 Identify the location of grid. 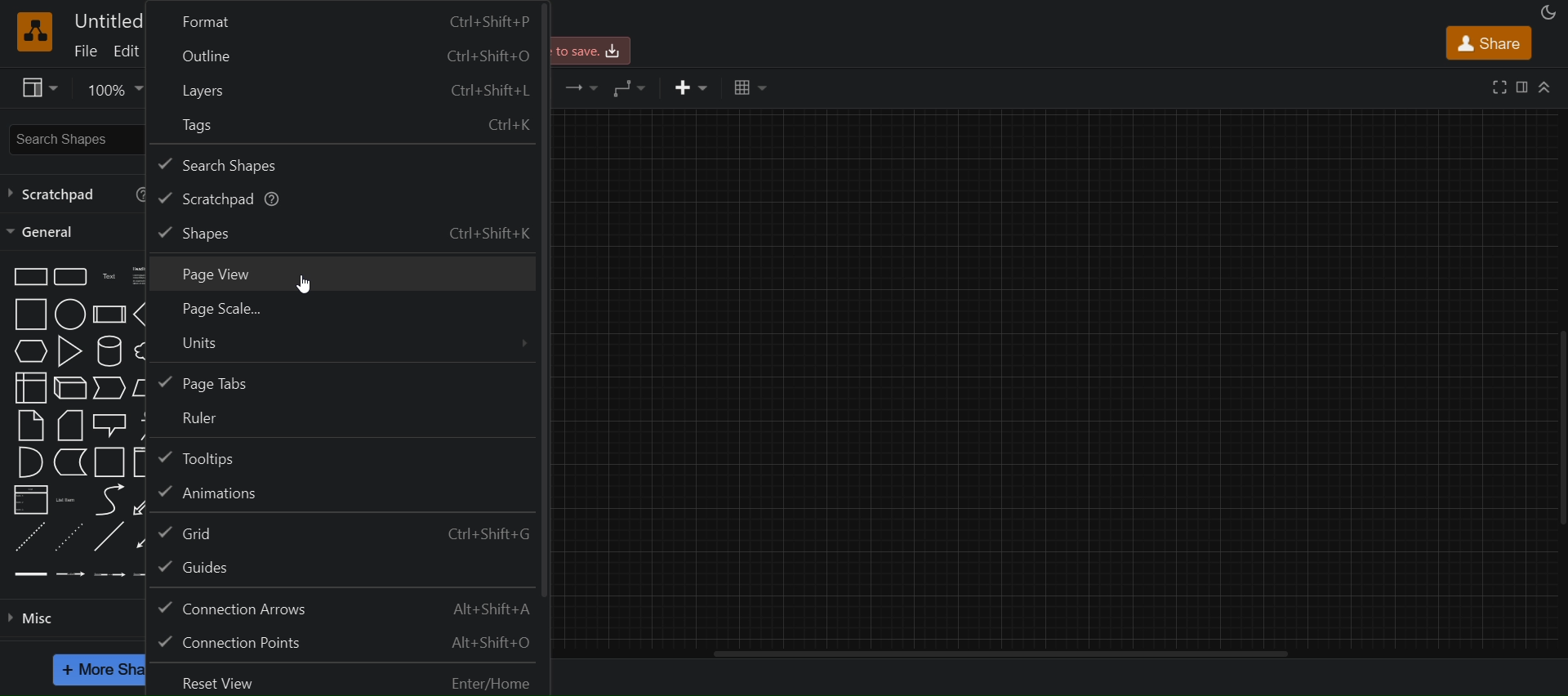
(346, 531).